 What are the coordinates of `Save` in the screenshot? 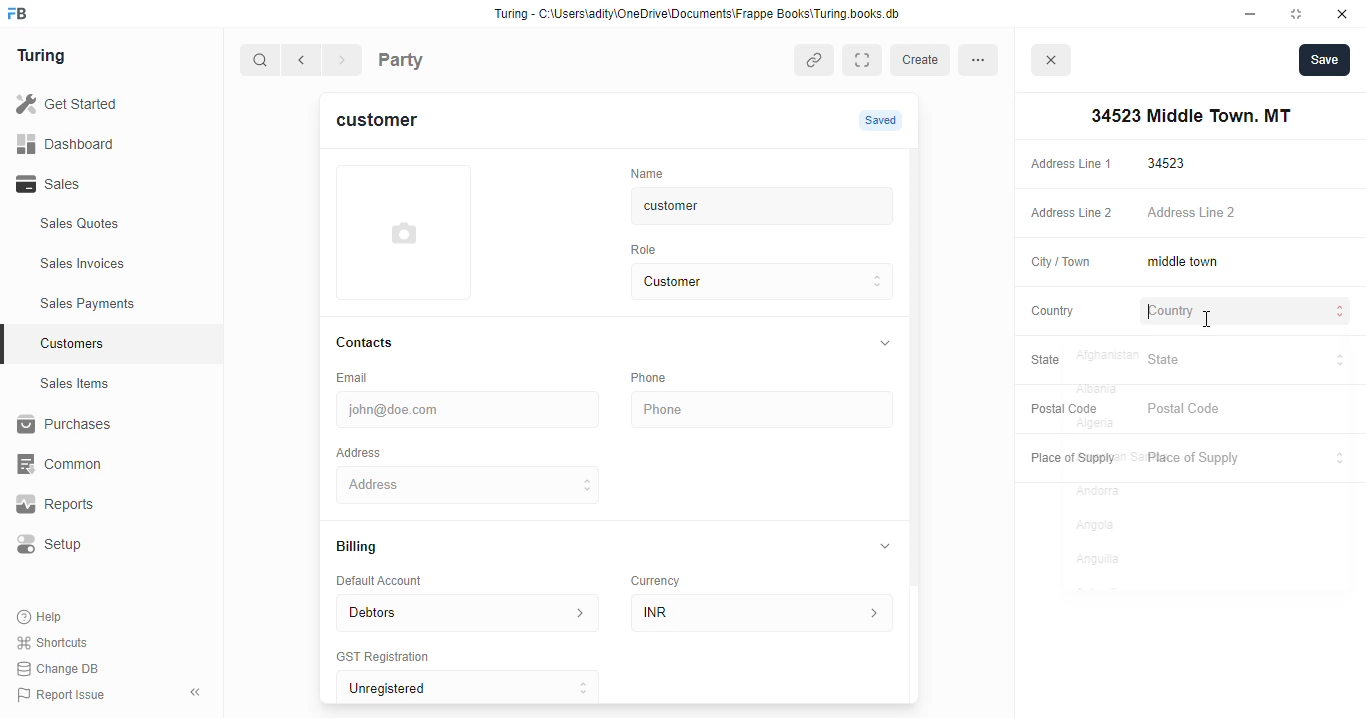 It's located at (1324, 59).